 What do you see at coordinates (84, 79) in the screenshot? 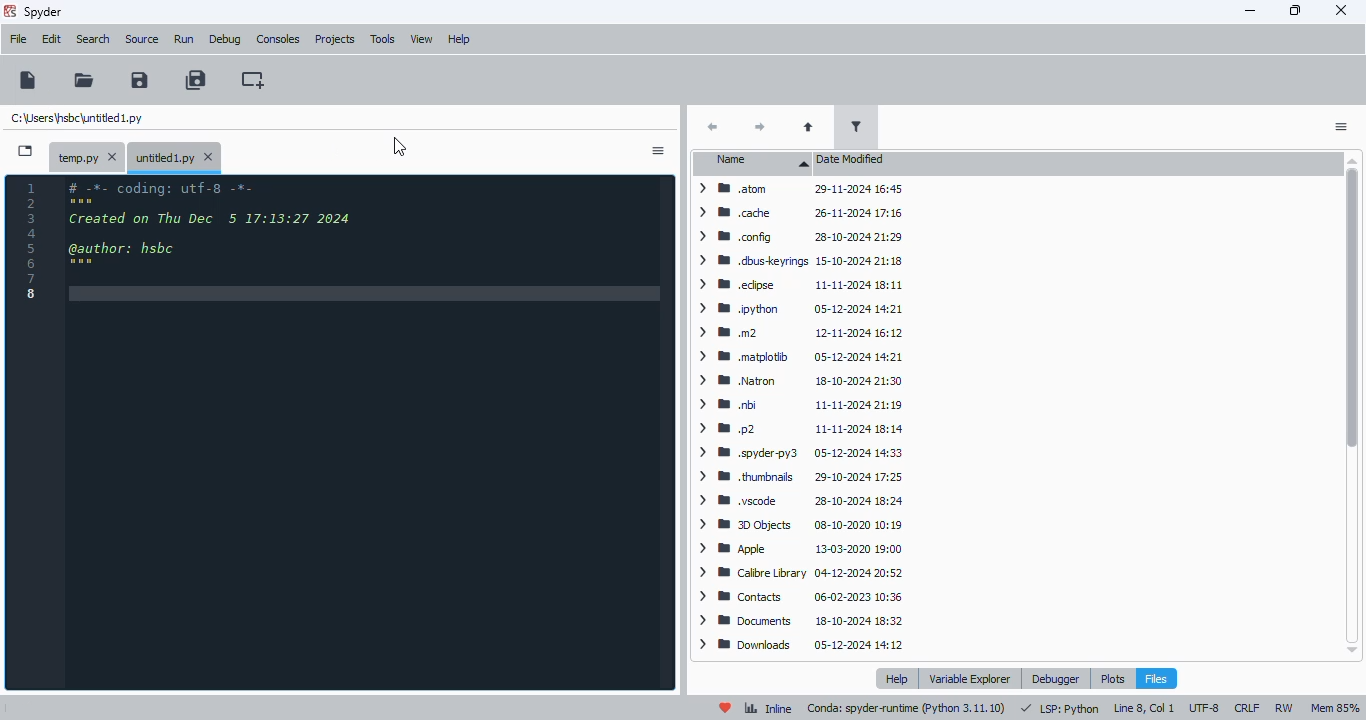
I see `open file` at bounding box center [84, 79].